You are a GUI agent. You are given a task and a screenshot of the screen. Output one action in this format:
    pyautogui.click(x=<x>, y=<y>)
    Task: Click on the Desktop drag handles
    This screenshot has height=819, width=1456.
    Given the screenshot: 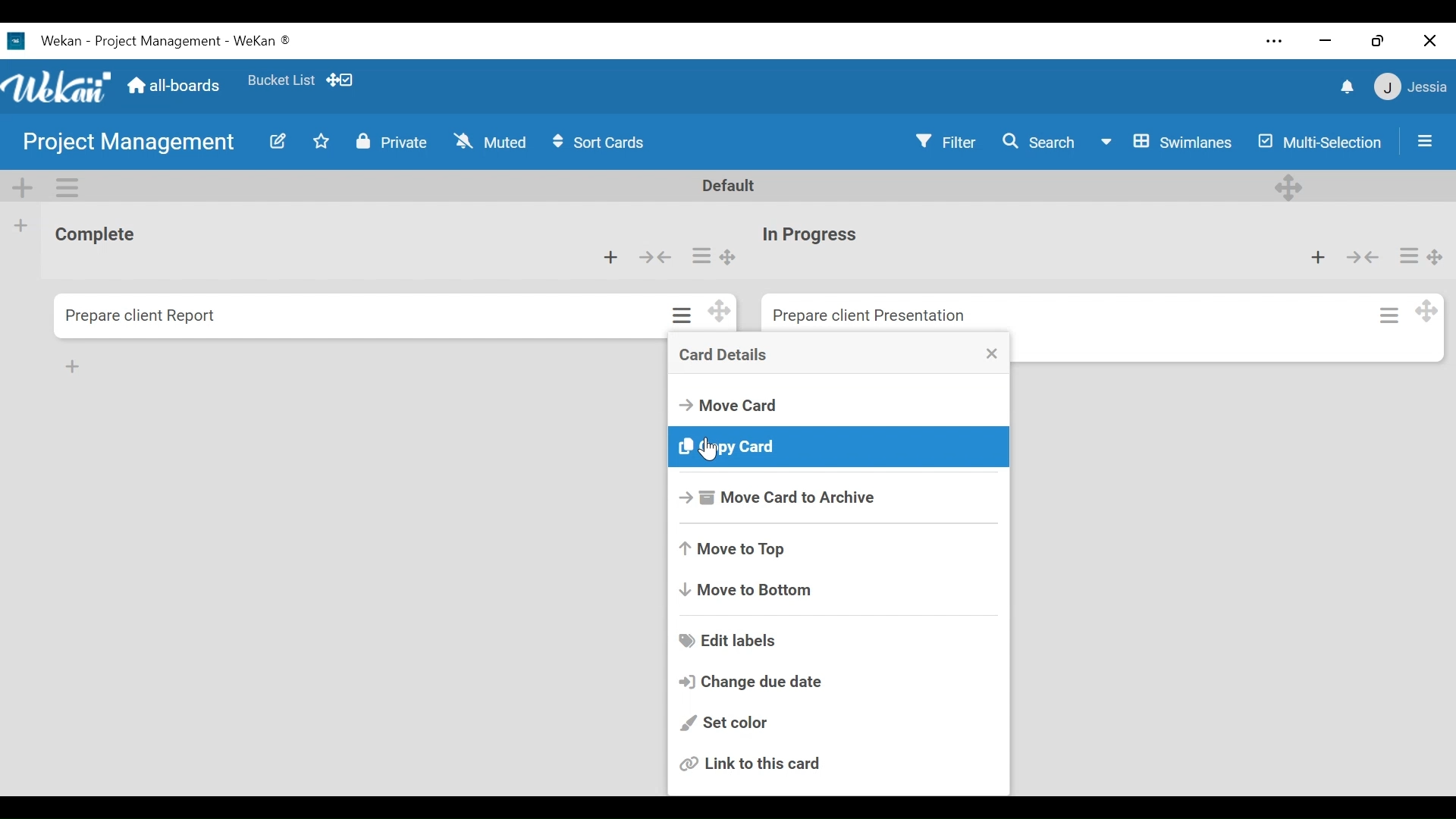 What is the action you would take?
    pyautogui.click(x=720, y=312)
    